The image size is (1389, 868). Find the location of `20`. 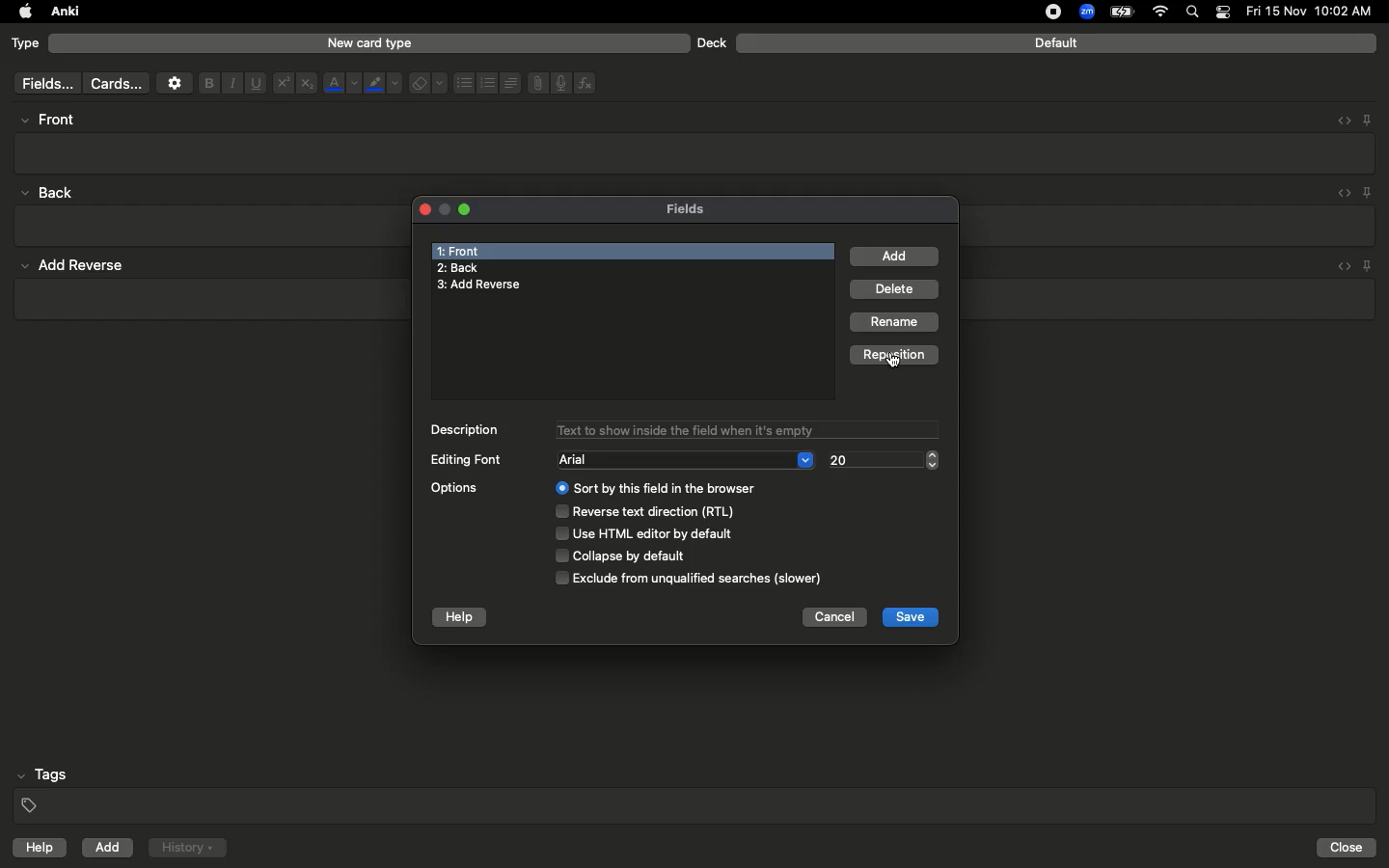

20 is located at coordinates (881, 460).